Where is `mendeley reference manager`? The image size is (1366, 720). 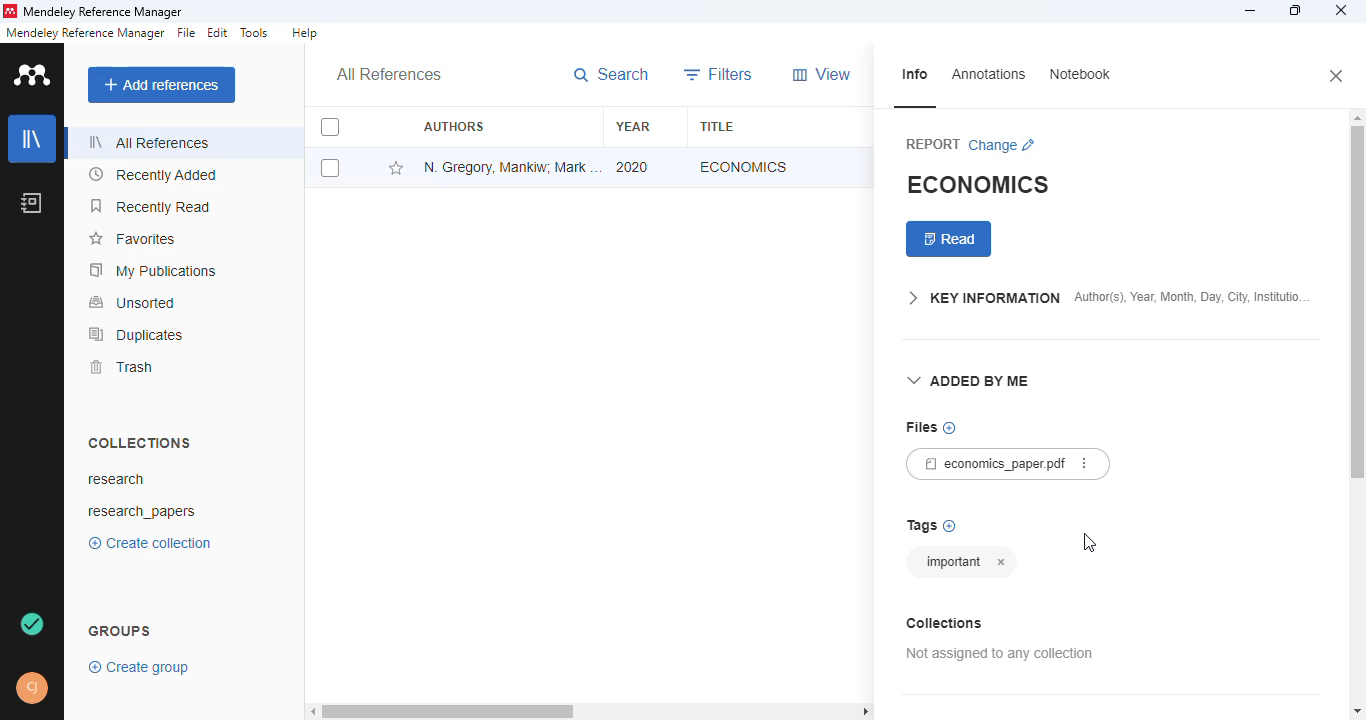 mendeley reference manager is located at coordinates (103, 11).